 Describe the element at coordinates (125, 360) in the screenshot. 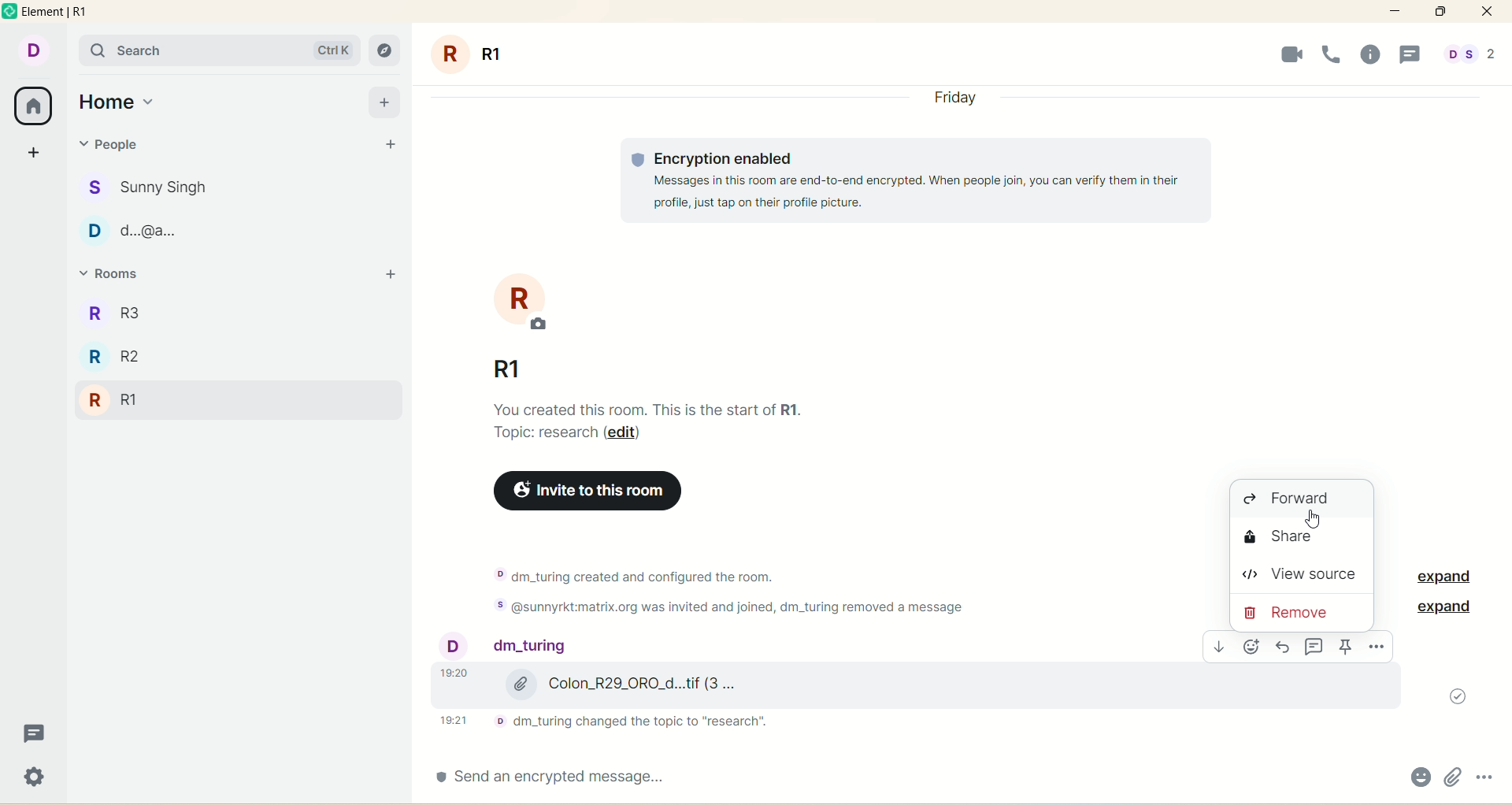

I see `R2` at that location.